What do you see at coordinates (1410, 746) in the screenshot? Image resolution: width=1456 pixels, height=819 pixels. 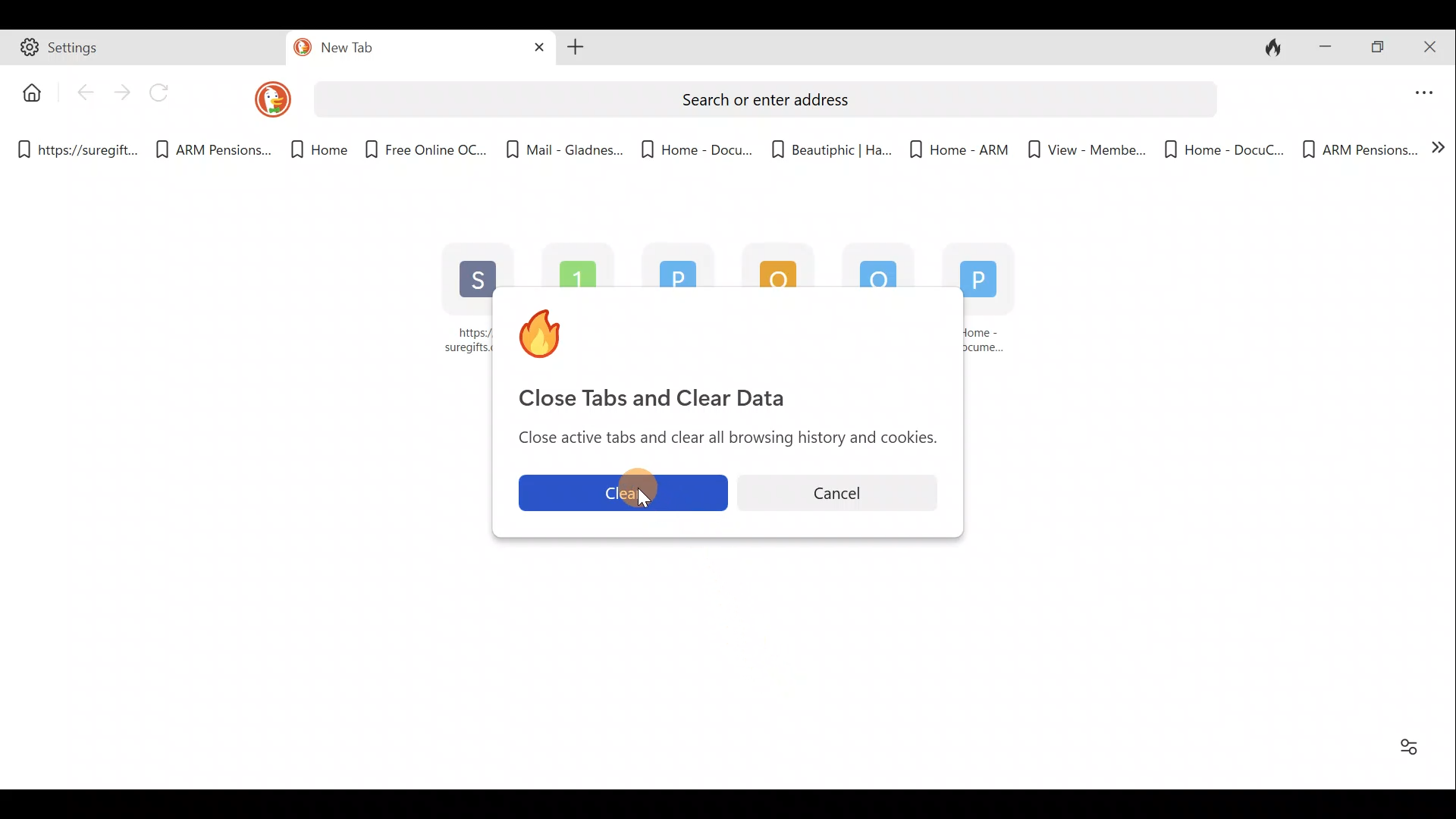 I see ` Options` at bounding box center [1410, 746].